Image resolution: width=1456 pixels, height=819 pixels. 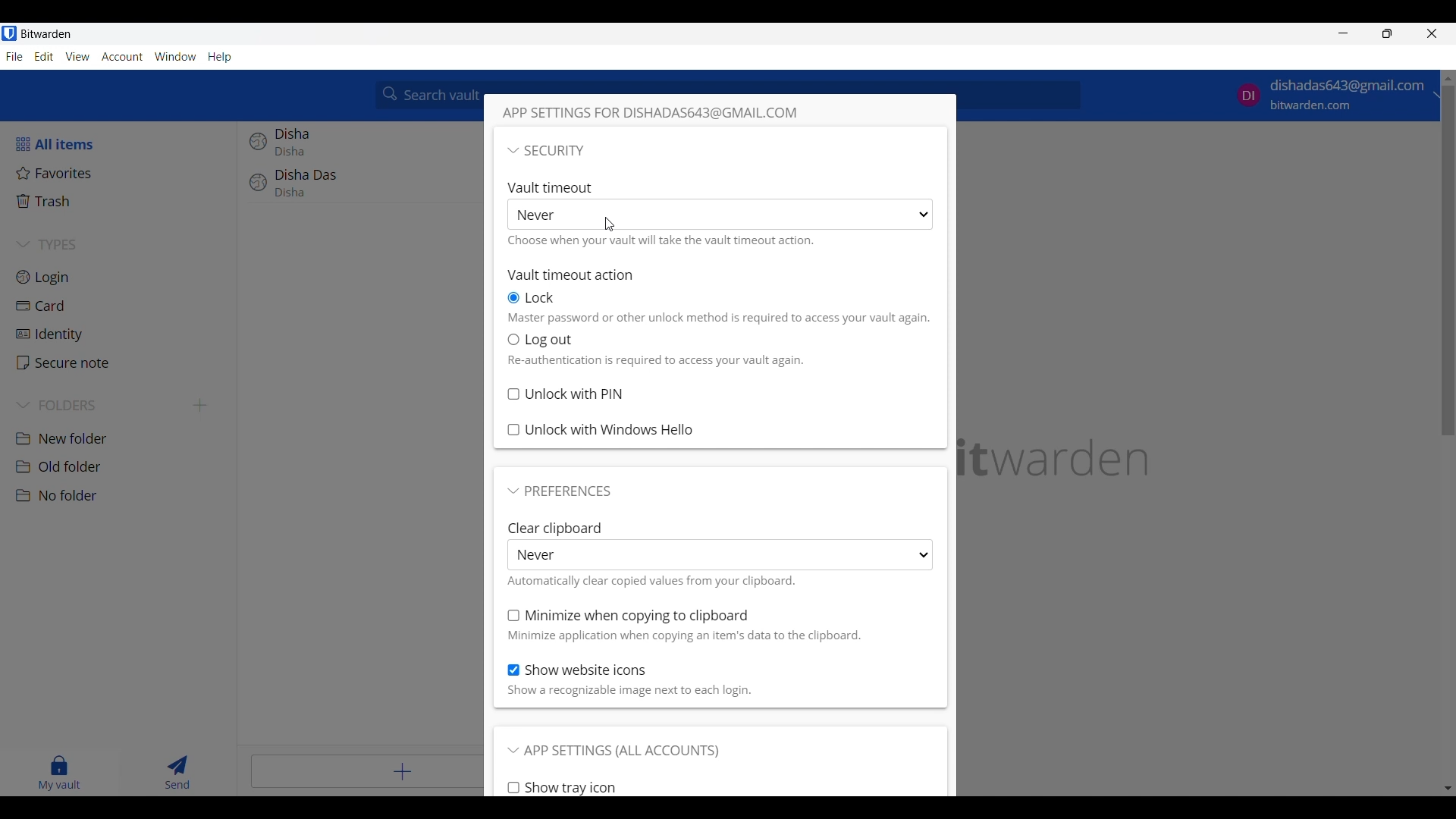 I want to click on Add new folder, so click(x=200, y=406).